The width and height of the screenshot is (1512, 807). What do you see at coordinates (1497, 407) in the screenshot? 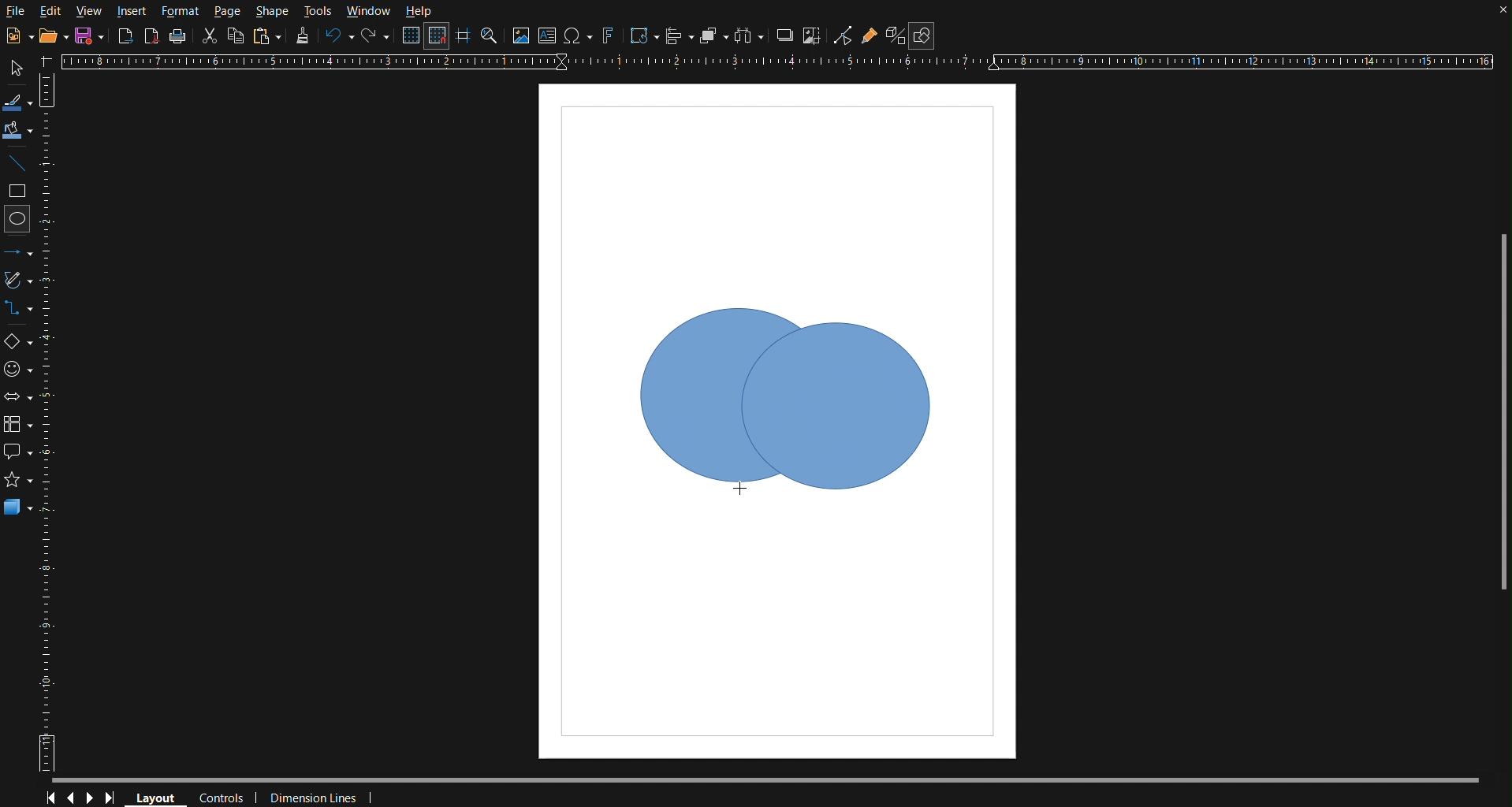
I see `Scrollbar` at bounding box center [1497, 407].